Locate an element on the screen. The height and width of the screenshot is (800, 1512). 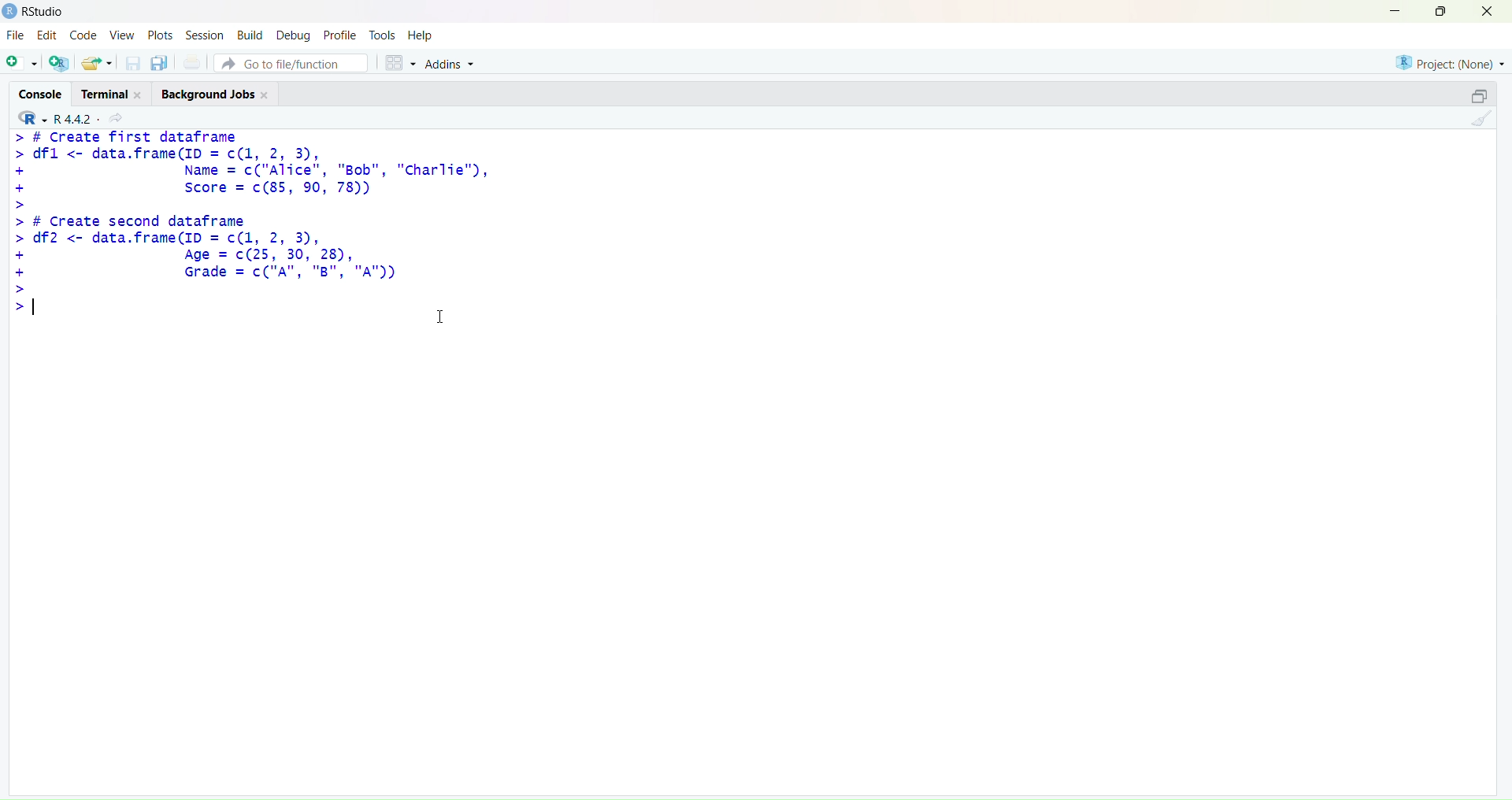
maximize is located at coordinates (1479, 94).